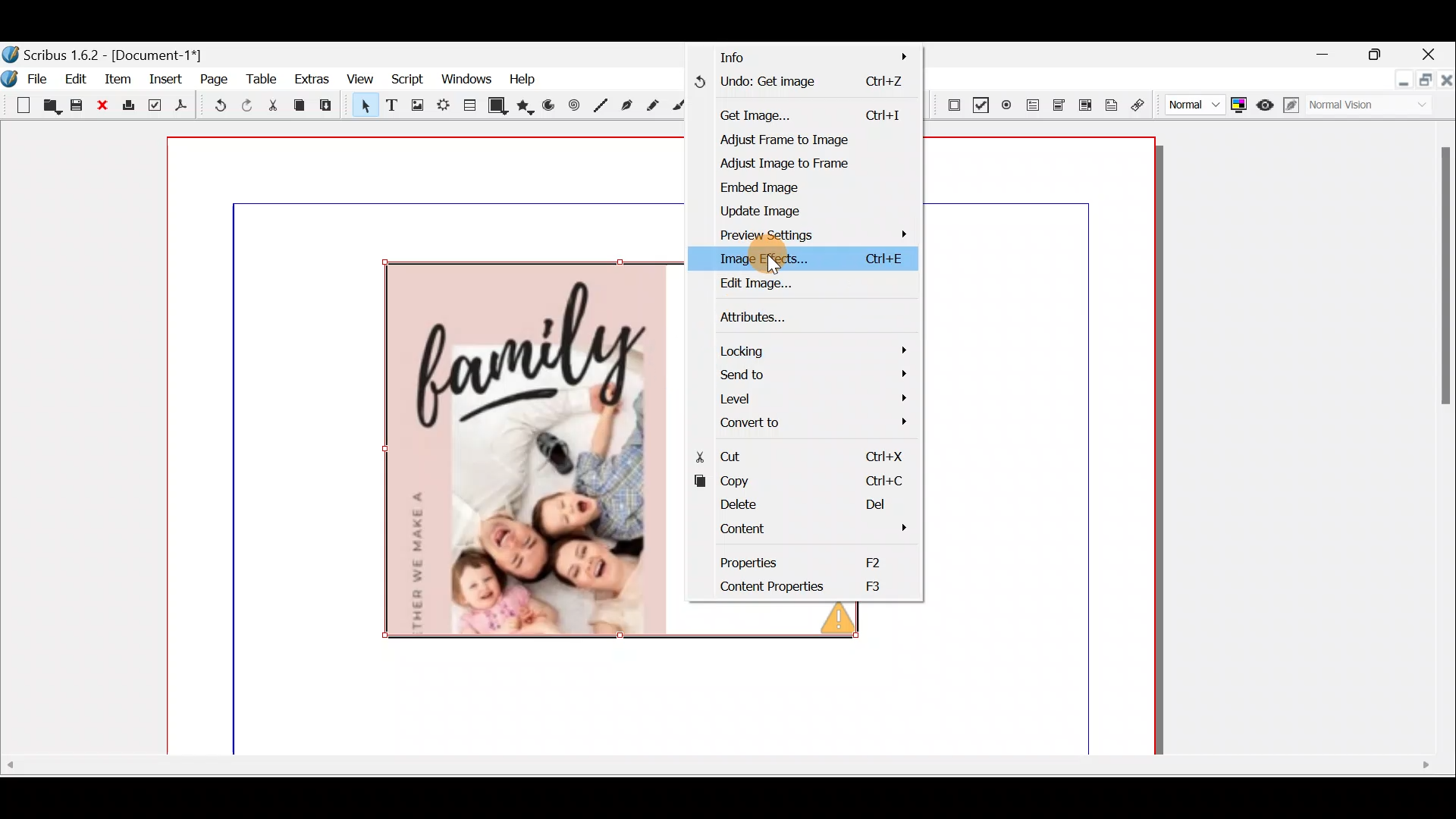  What do you see at coordinates (524, 78) in the screenshot?
I see `Help` at bounding box center [524, 78].